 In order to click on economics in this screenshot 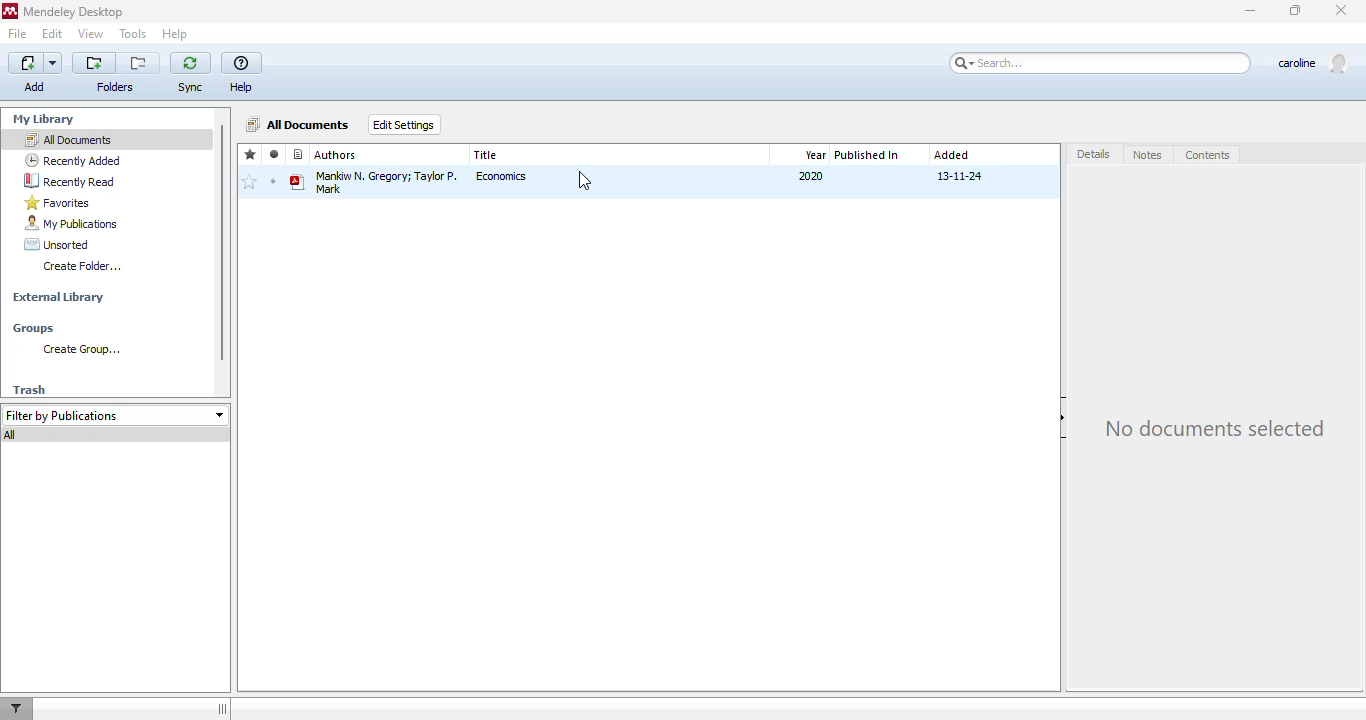, I will do `click(501, 176)`.